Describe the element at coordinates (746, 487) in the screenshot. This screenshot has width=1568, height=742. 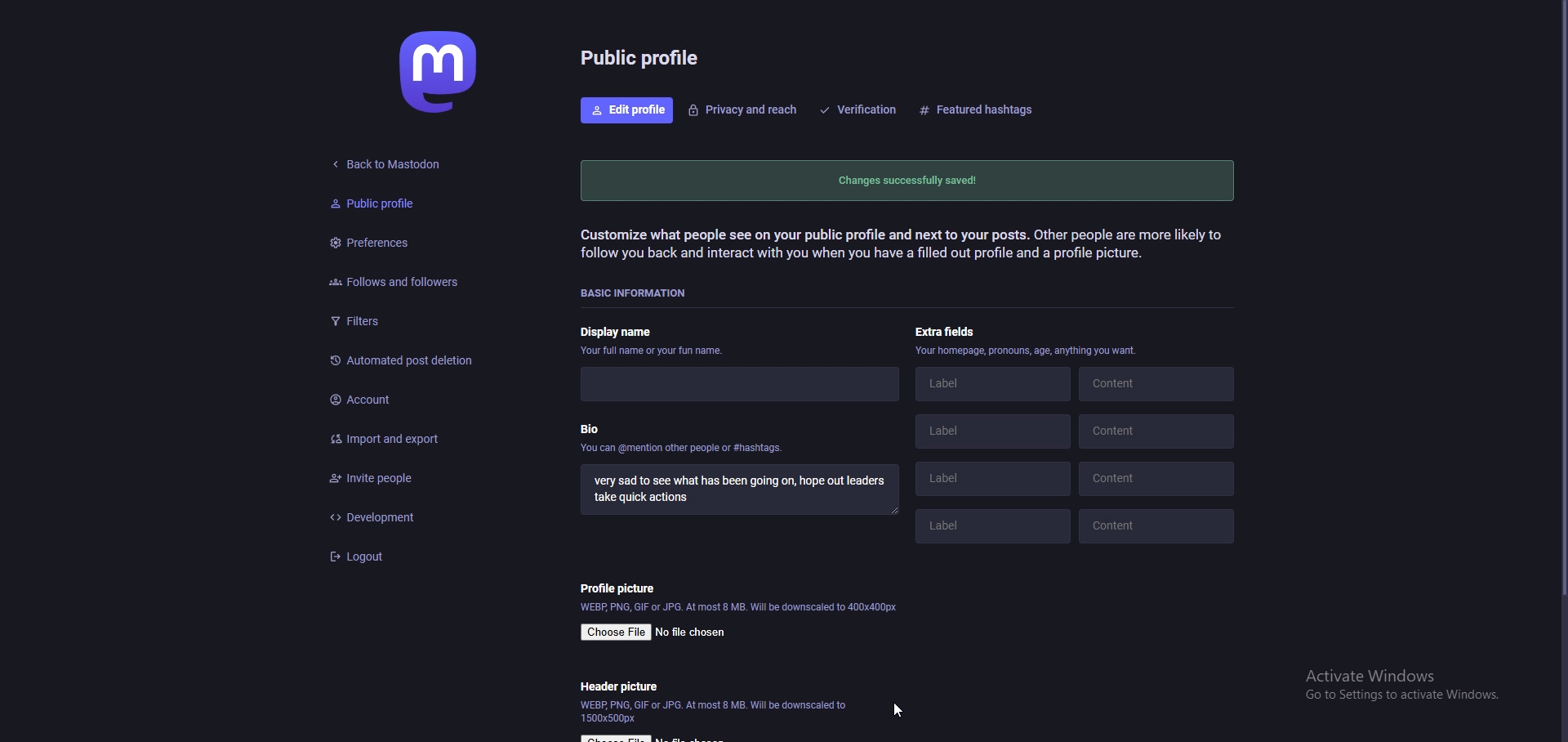
I see `bio` at that location.